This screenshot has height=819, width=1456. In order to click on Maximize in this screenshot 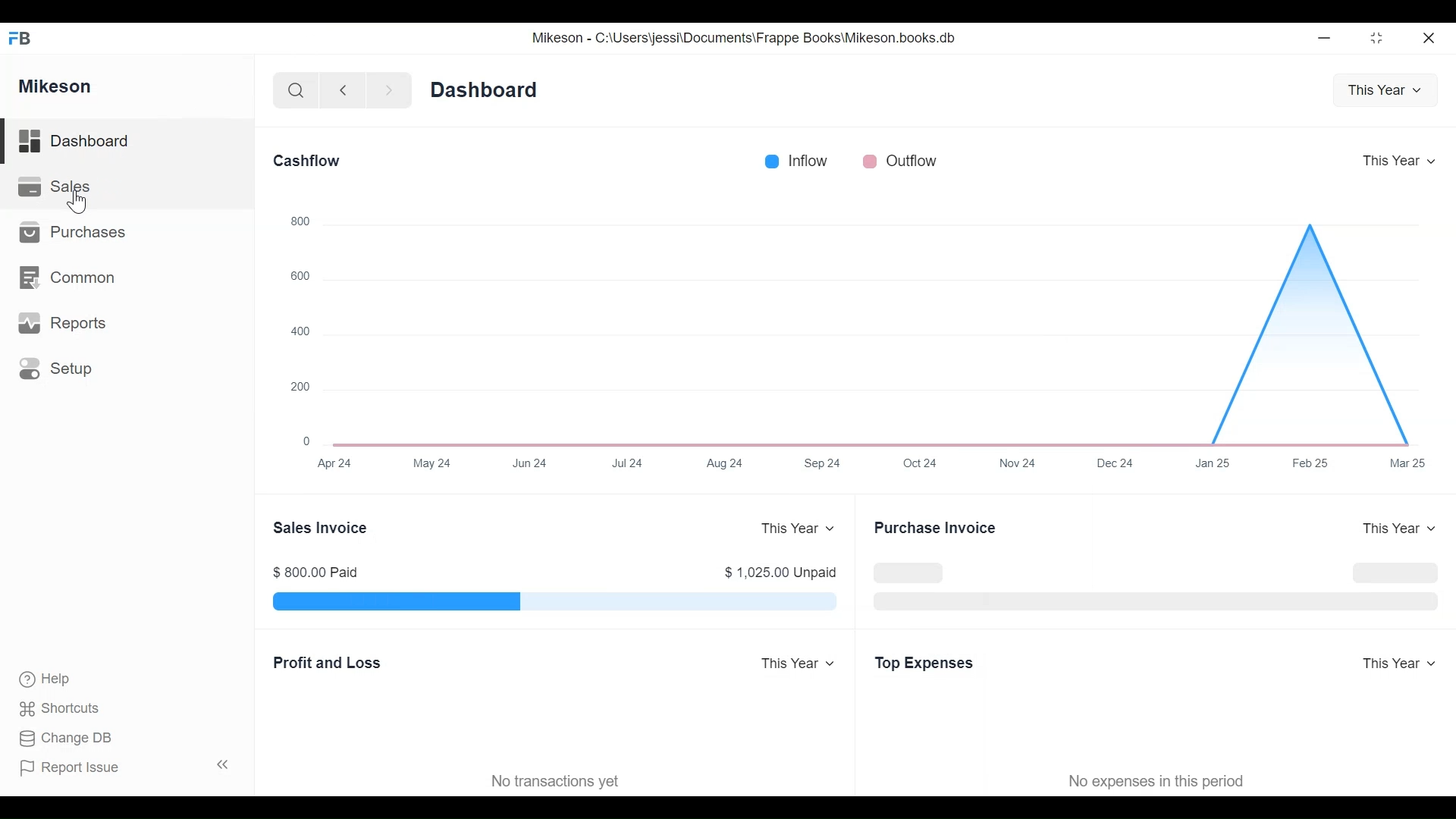, I will do `click(1374, 40)`.